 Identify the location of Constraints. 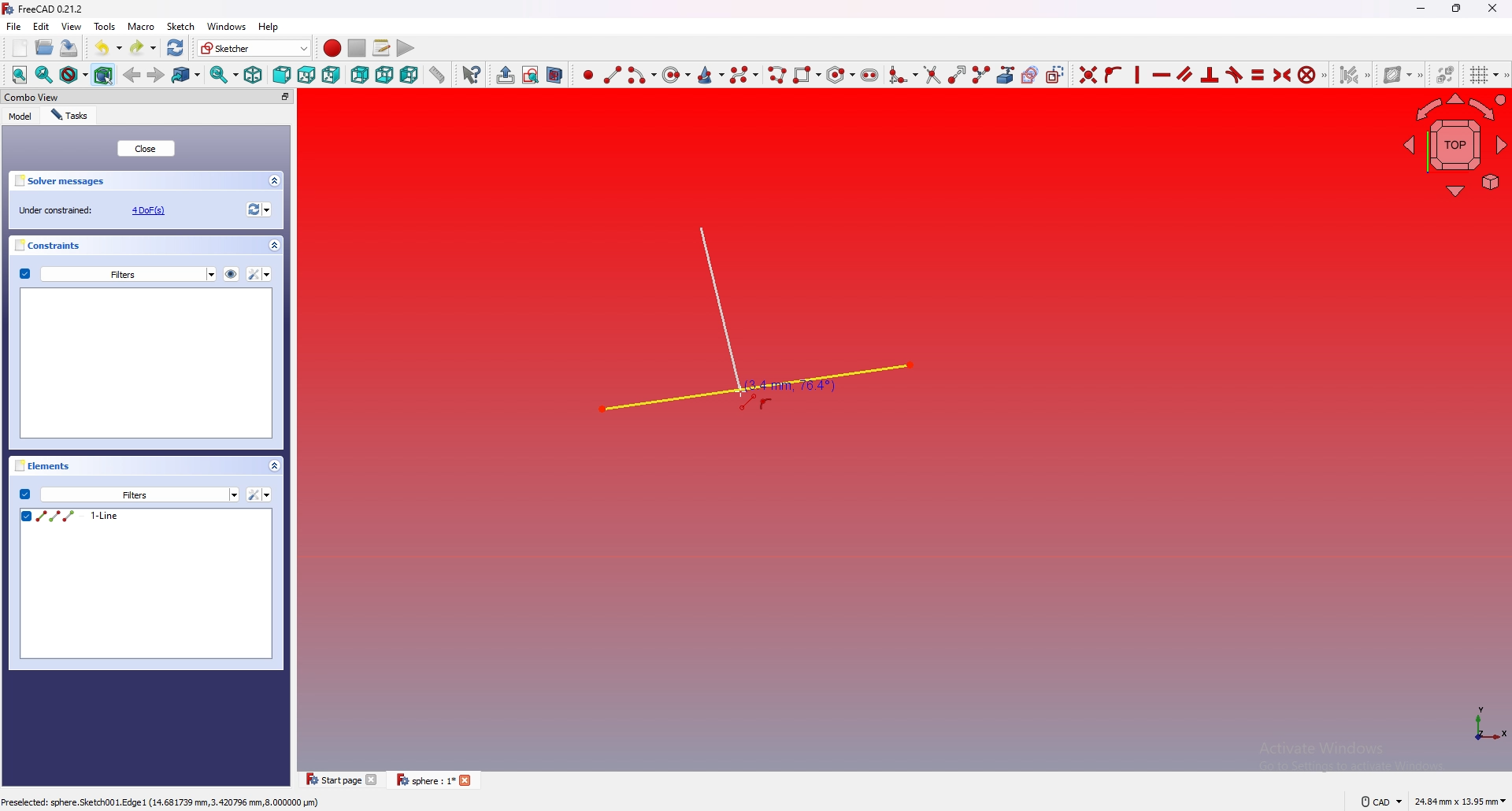
(148, 246).